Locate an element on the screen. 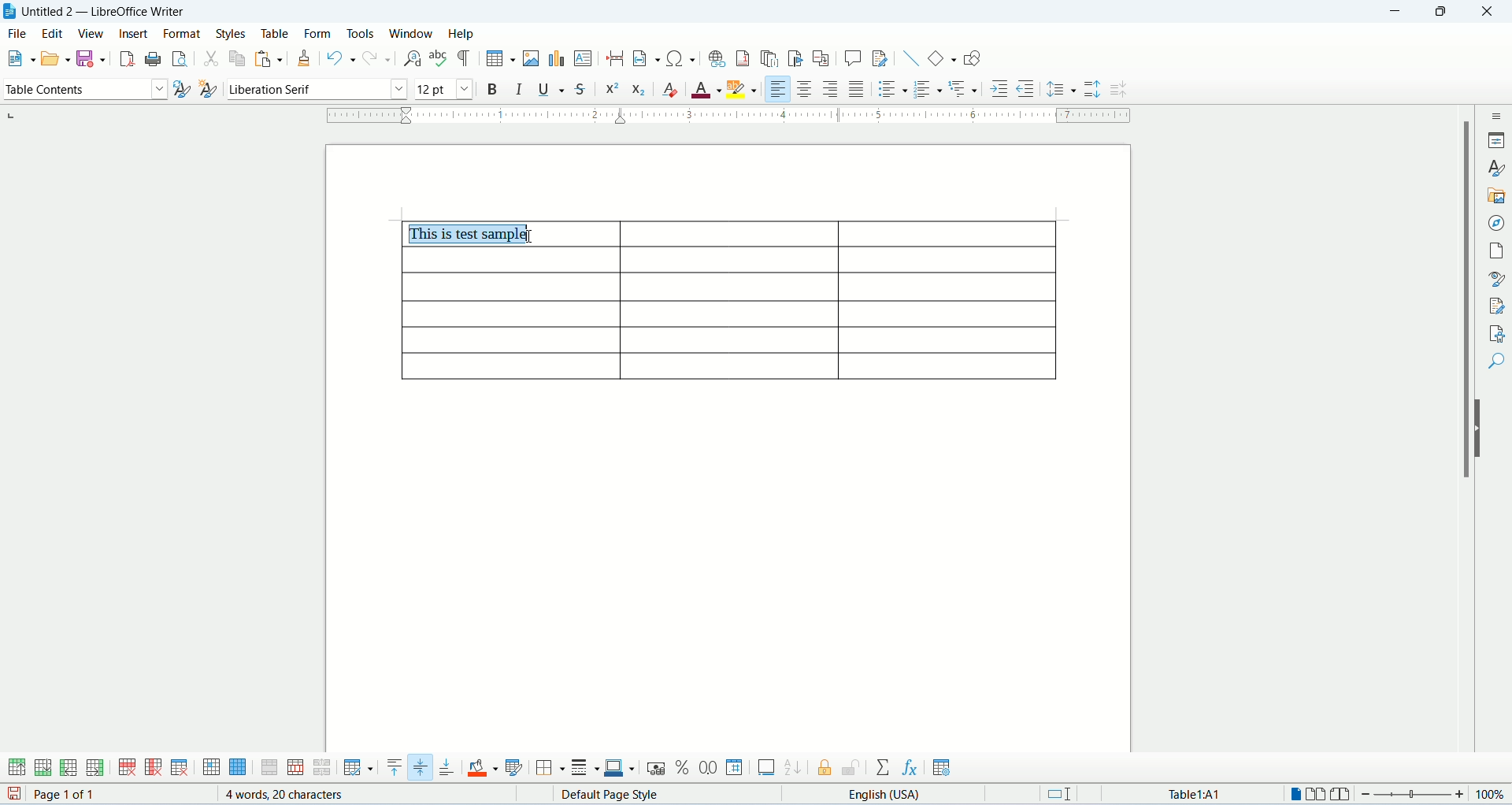  optimize size is located at coordinates (358, 769).